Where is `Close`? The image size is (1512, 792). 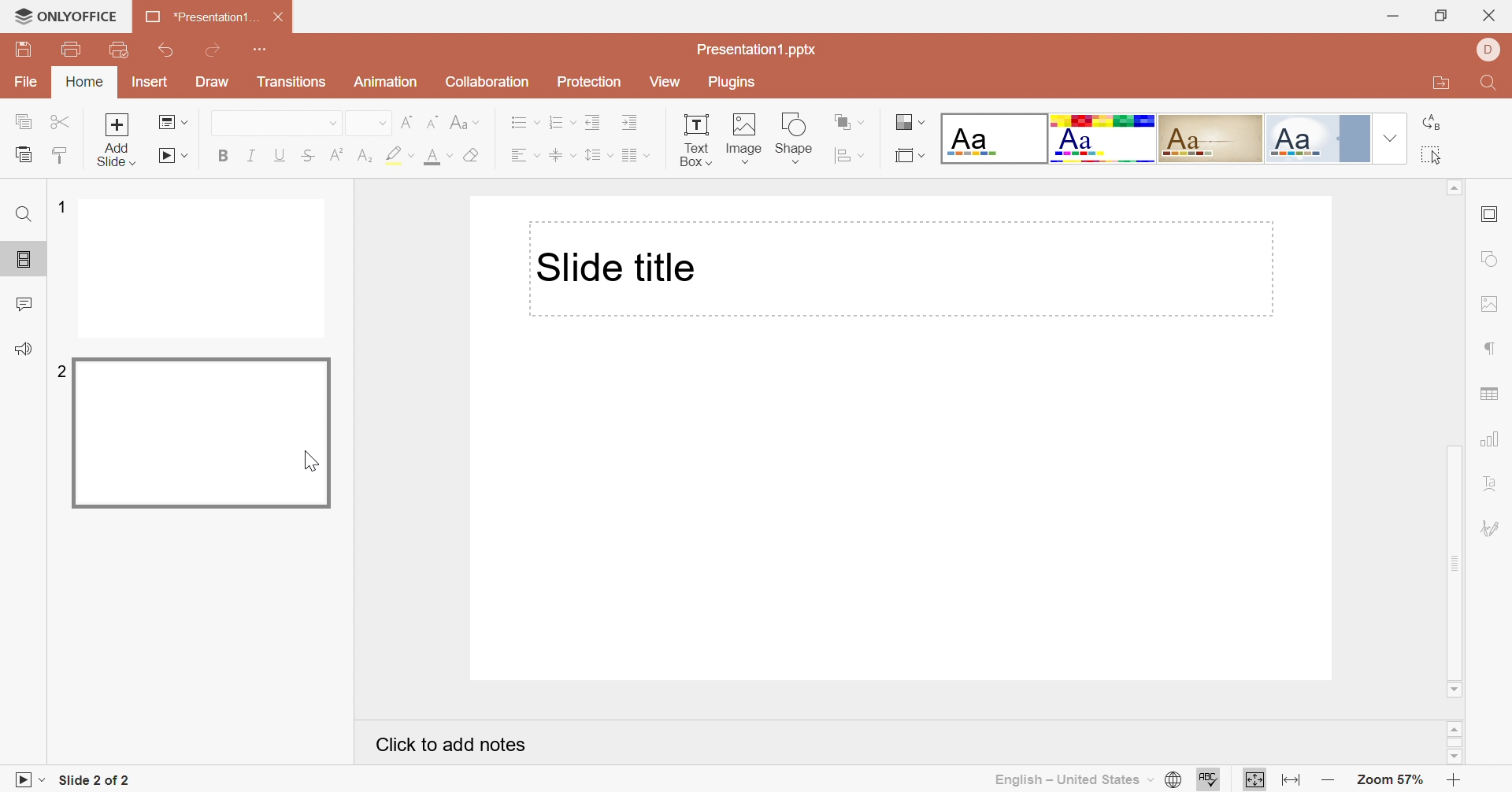 Close is located at coordinates (280, 17).